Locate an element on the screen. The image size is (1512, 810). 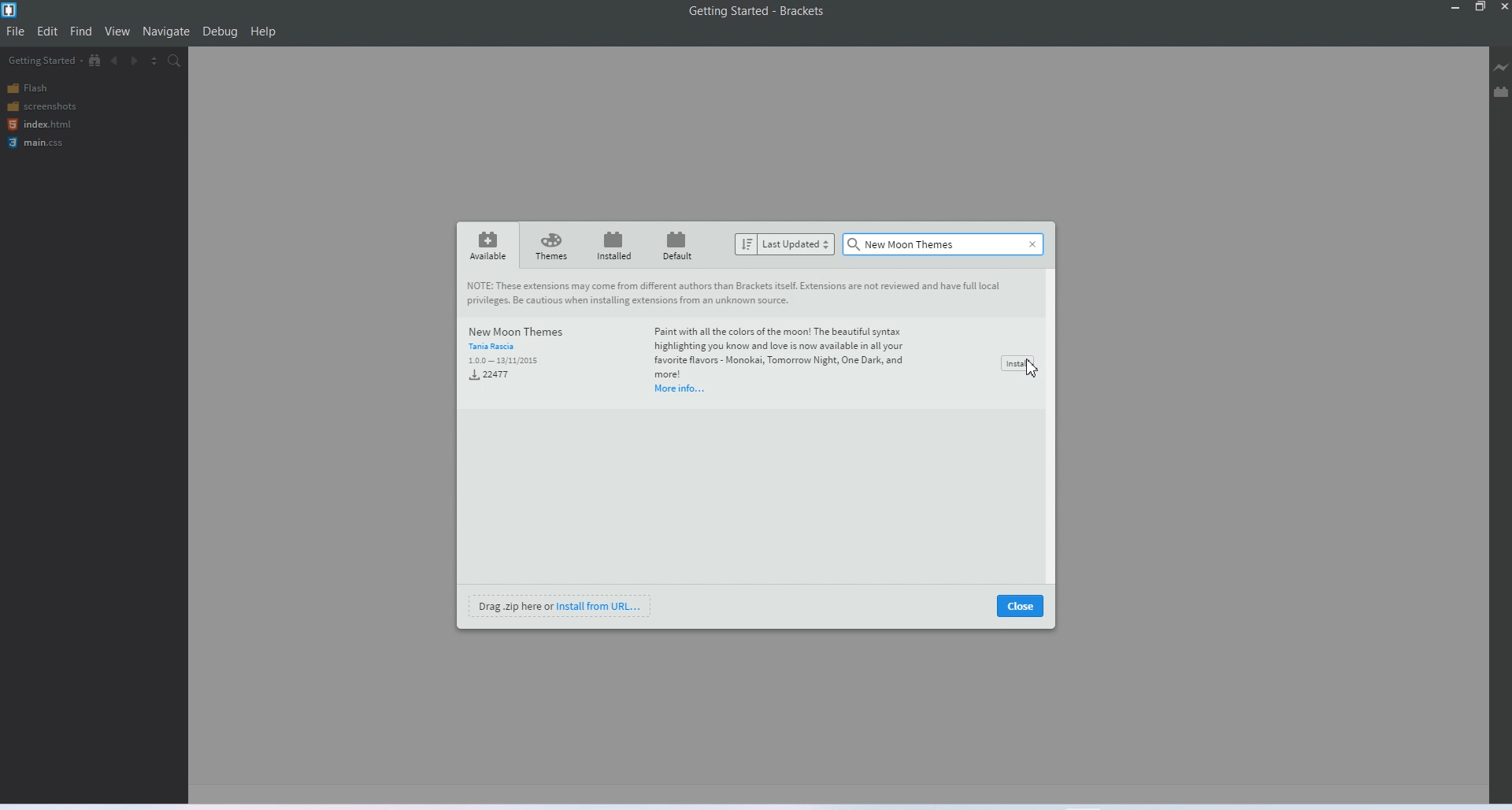
More info... is located at coordinates (682, 391).